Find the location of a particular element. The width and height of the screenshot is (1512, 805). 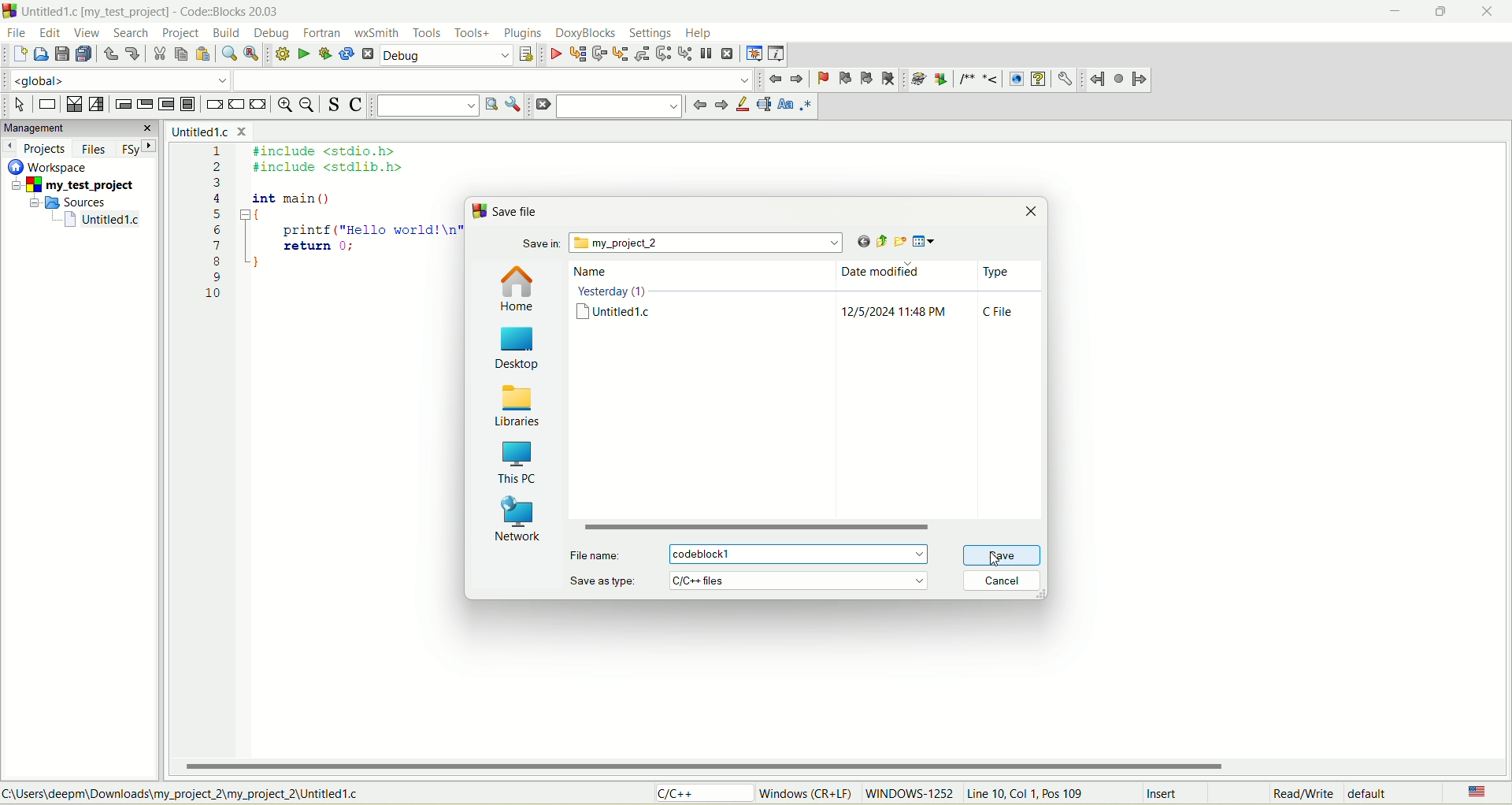

entry condition loop is located at coordinates (120, 104).